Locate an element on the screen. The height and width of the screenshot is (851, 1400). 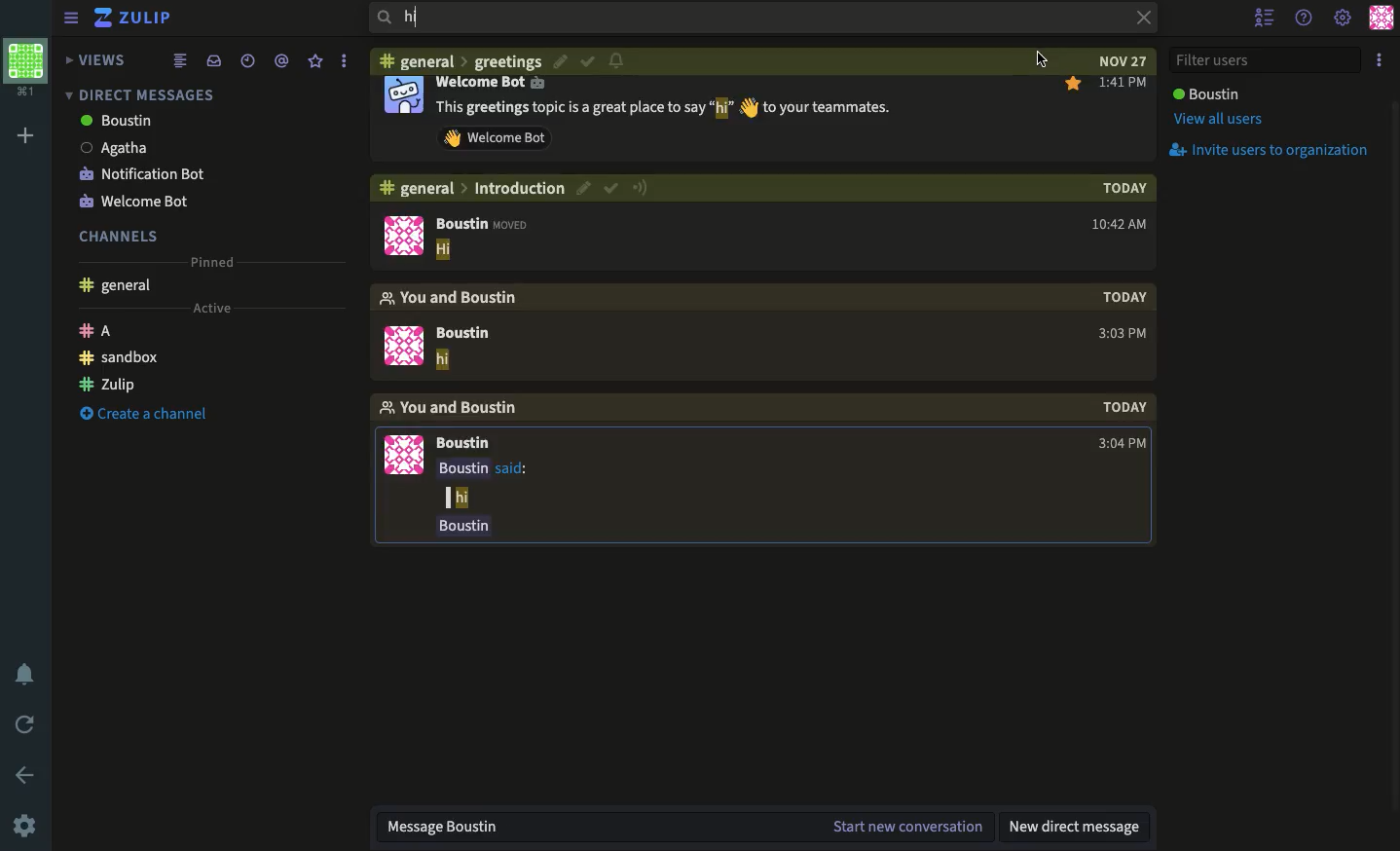
View all users is located at coordinates (1216, 122).